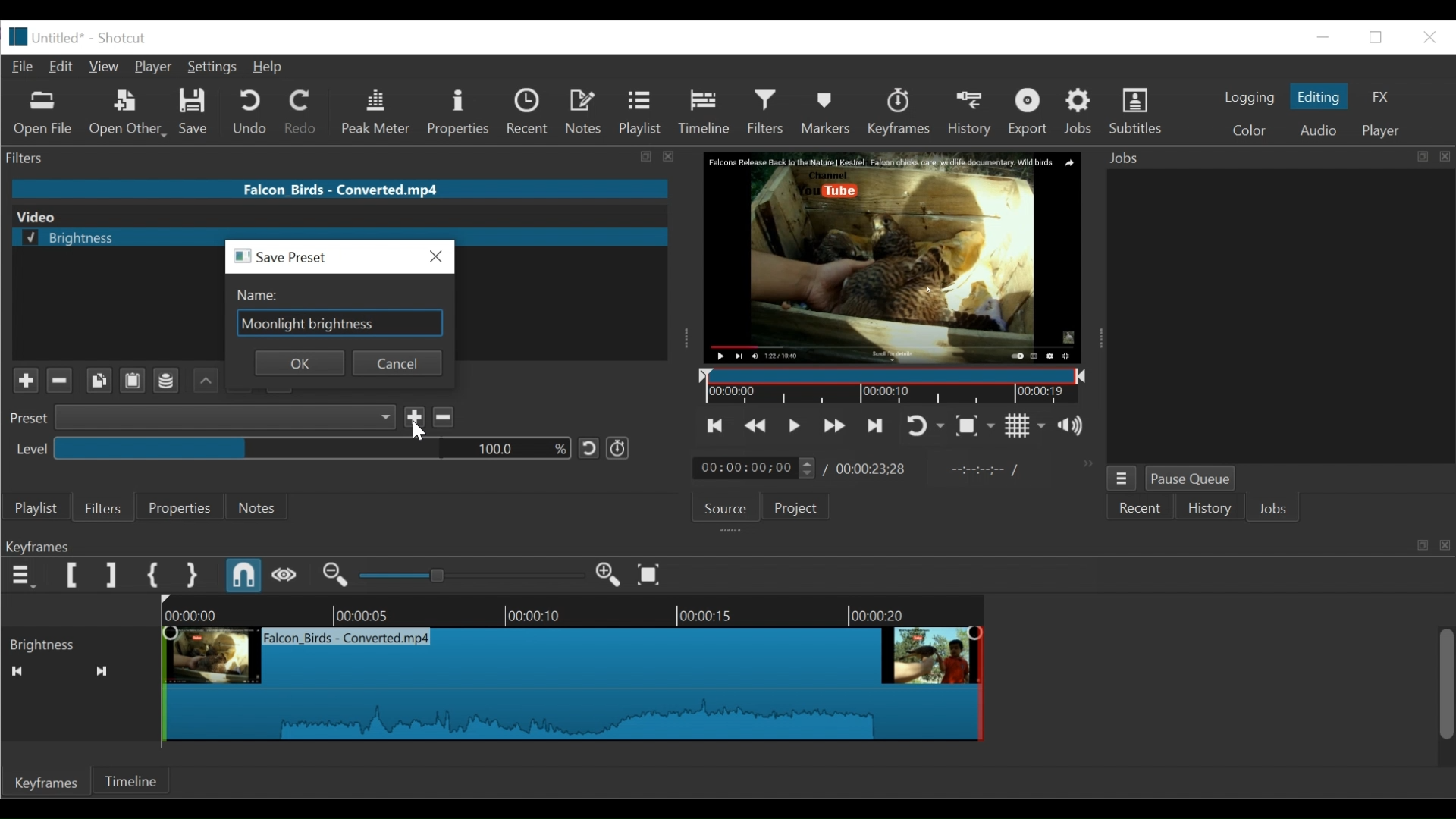 The height and width of the screenshot is (819, 1456). I want to click on Set First Simple Keyframe, so click(152, 576).